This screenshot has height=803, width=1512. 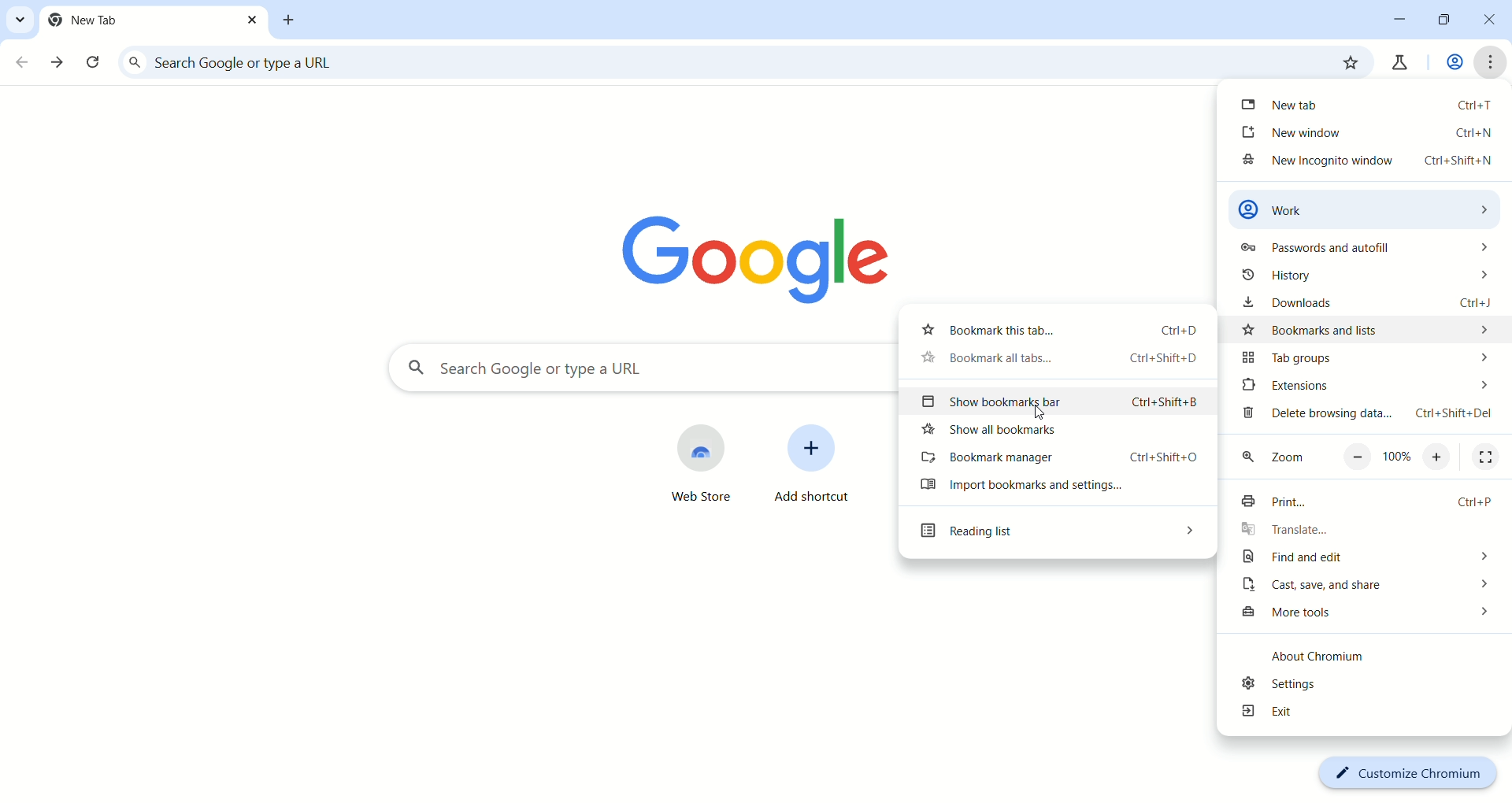 What do you see at coordinates (682, 465) in the screenshot?
I see `web store` at bounding box center [682, 465].